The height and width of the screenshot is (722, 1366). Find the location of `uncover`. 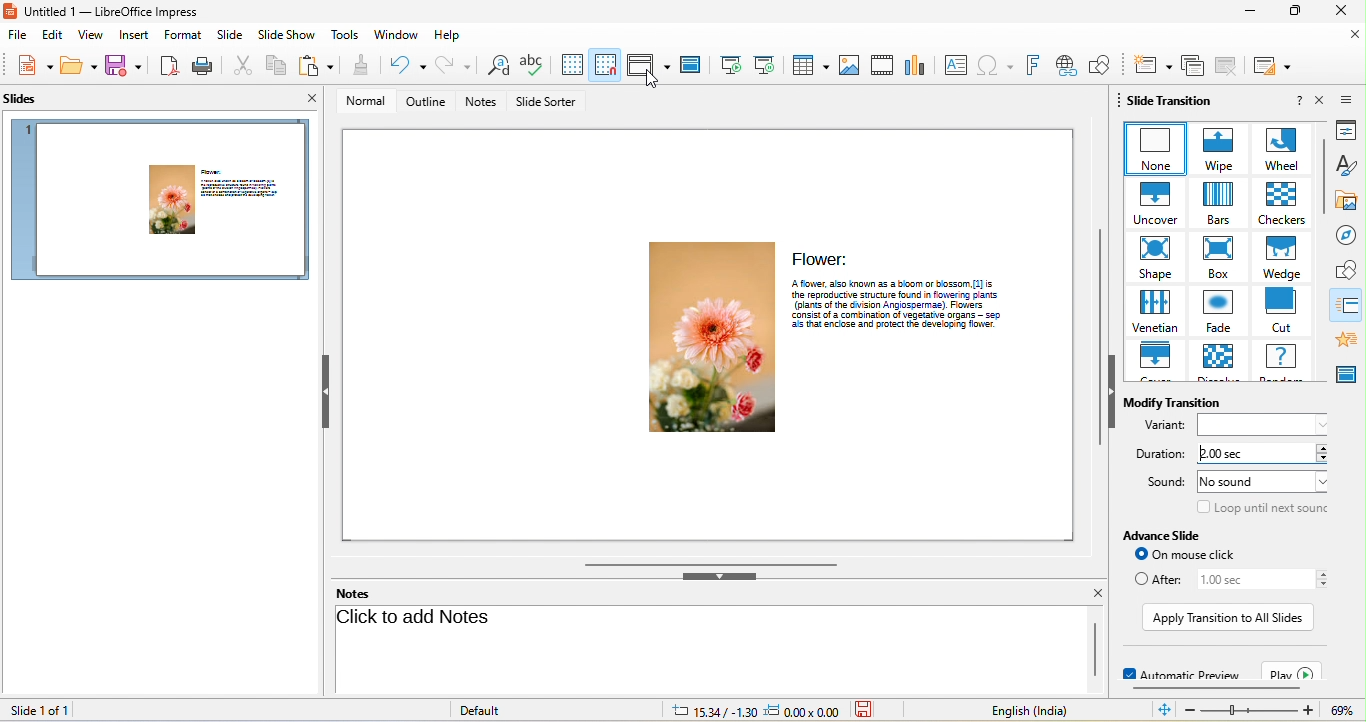

uncover is located at coordinates (1151, 203).